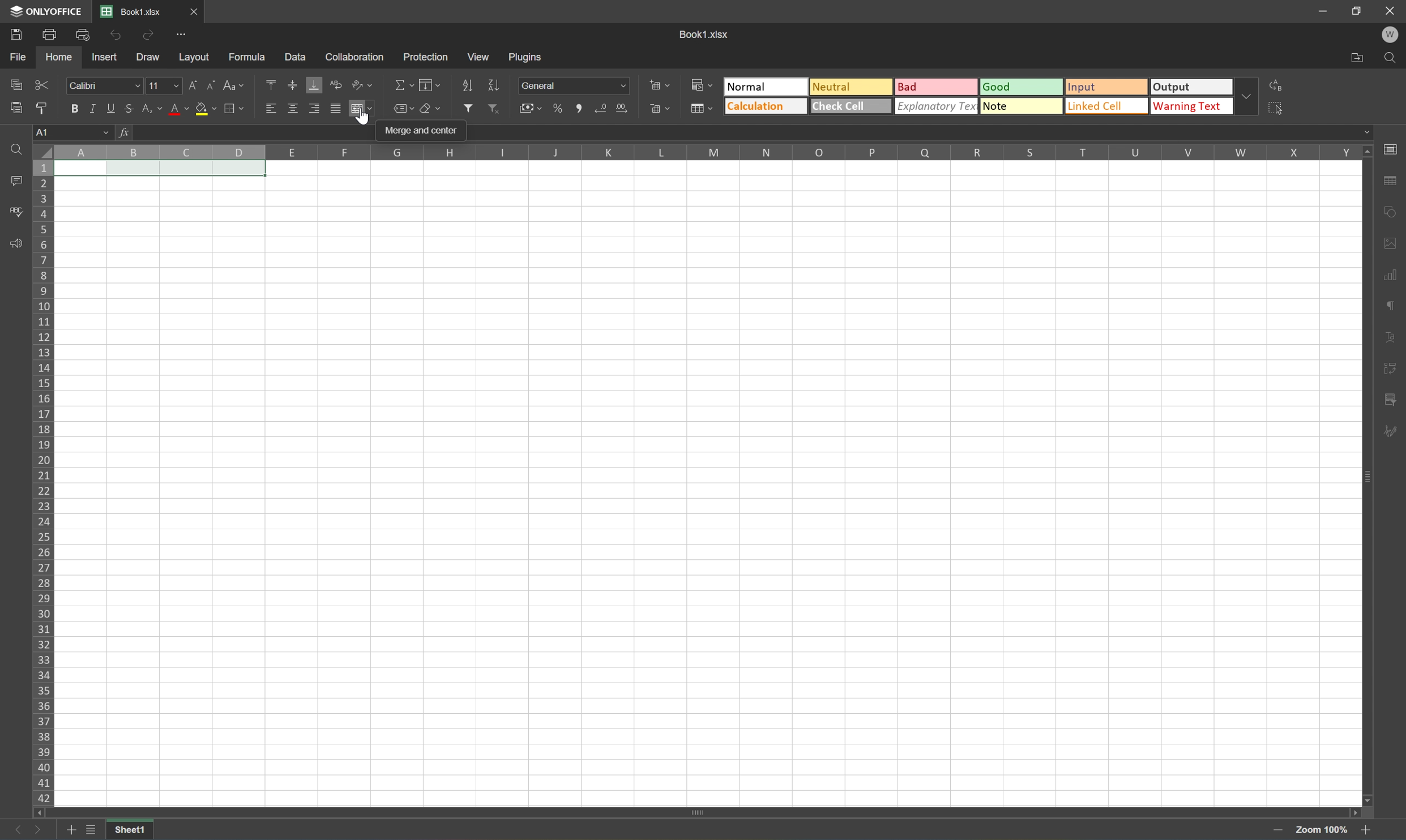  I want to click on Wrap text, so click(335, 85).